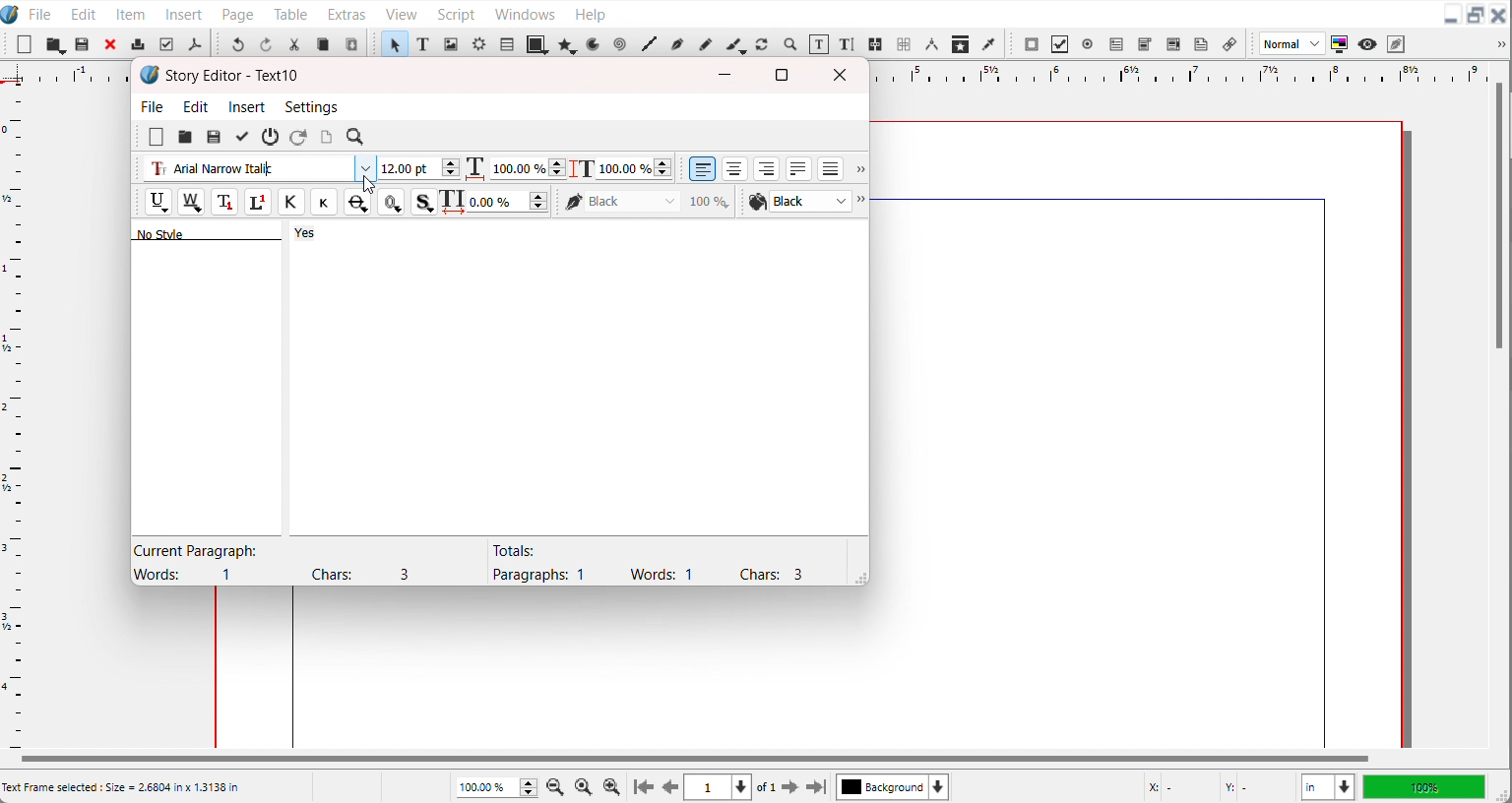 The width and height of the screenshot is (1512, 803). I want to click on Measurements, so click(931, 44).